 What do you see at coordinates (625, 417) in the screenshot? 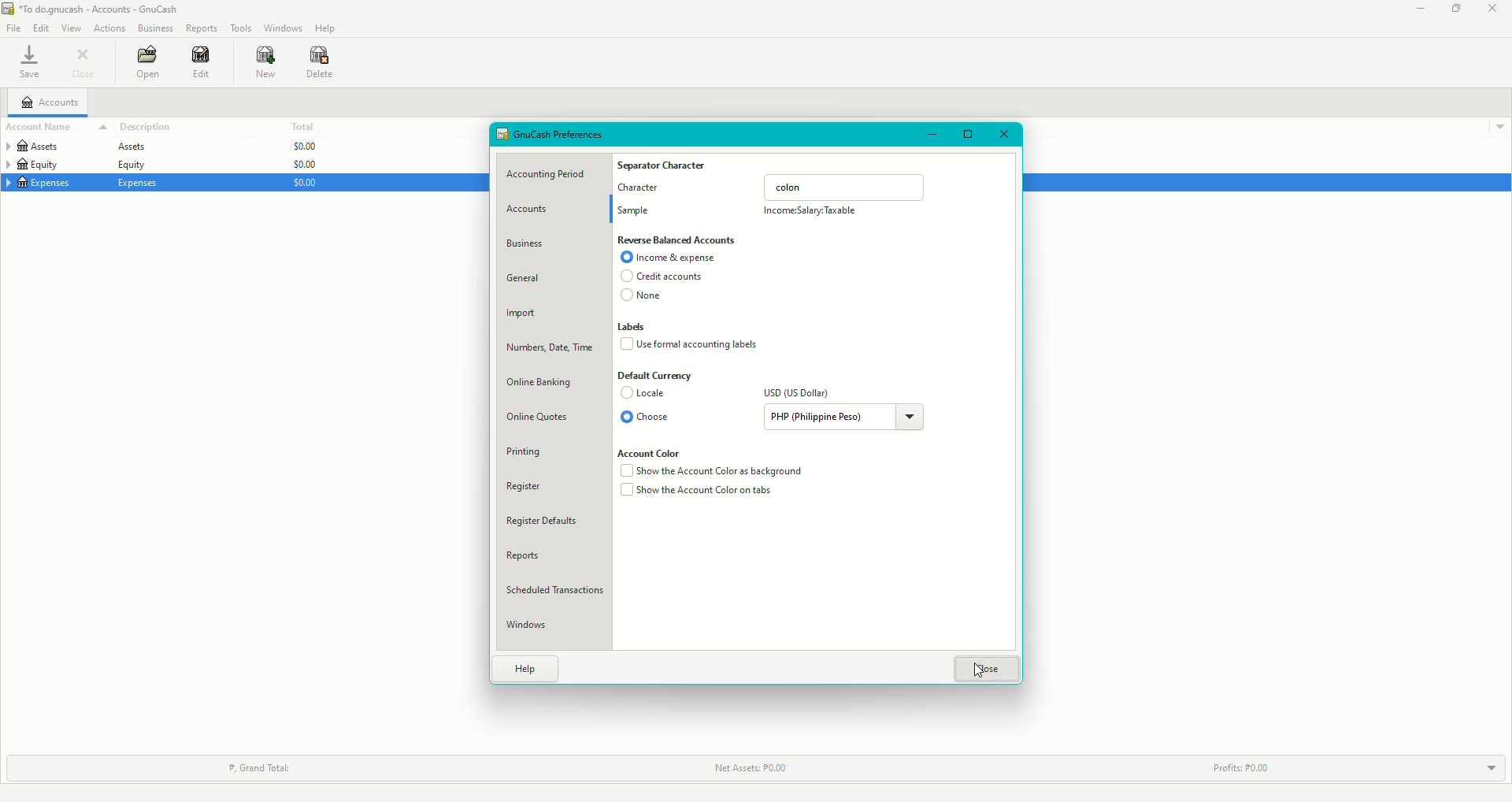
I see `Option selected` at bounding box center [625, 417].